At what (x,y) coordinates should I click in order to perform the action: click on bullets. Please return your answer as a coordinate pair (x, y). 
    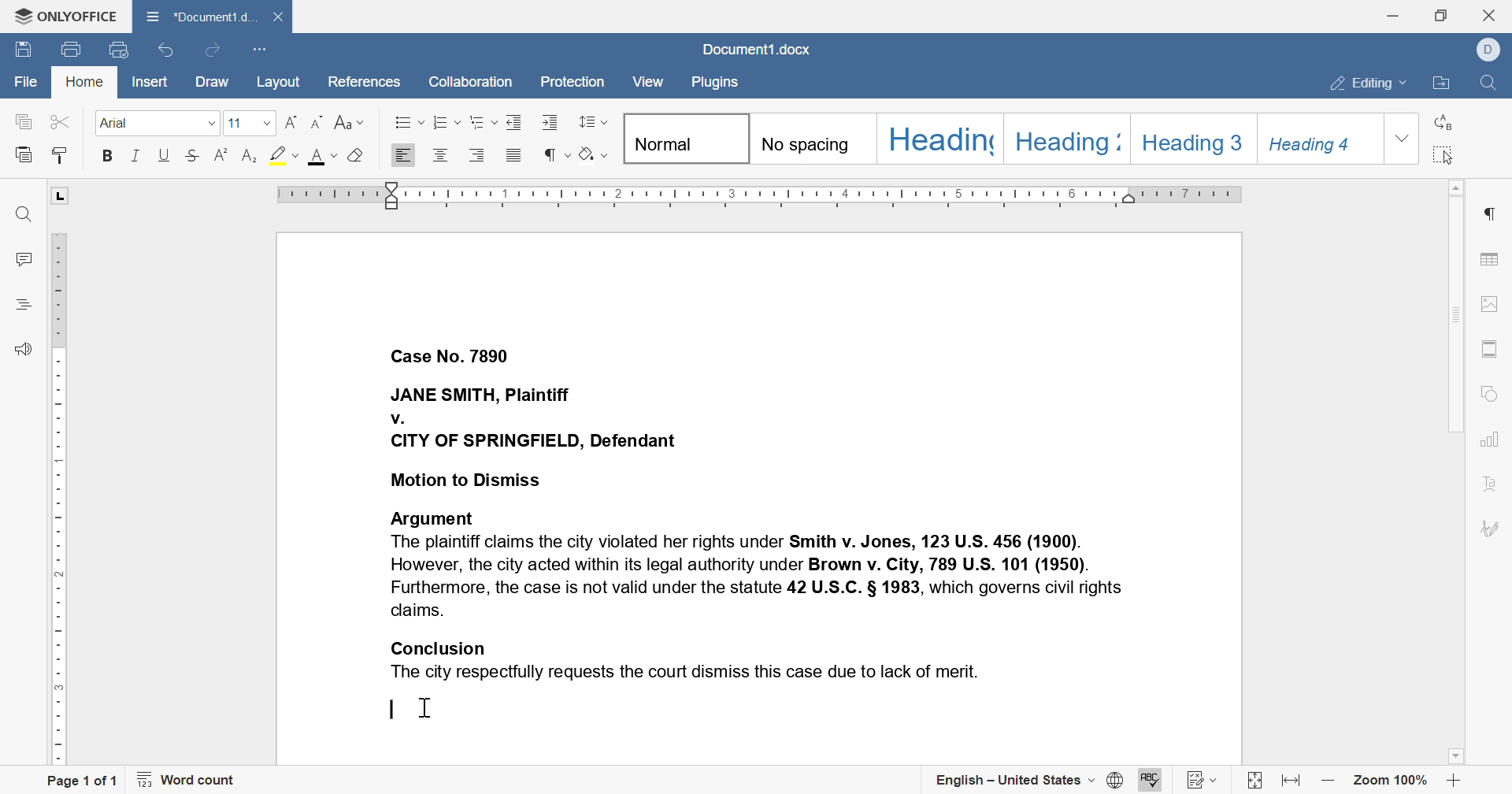
    Looking at the image, I should click on (405, 121).